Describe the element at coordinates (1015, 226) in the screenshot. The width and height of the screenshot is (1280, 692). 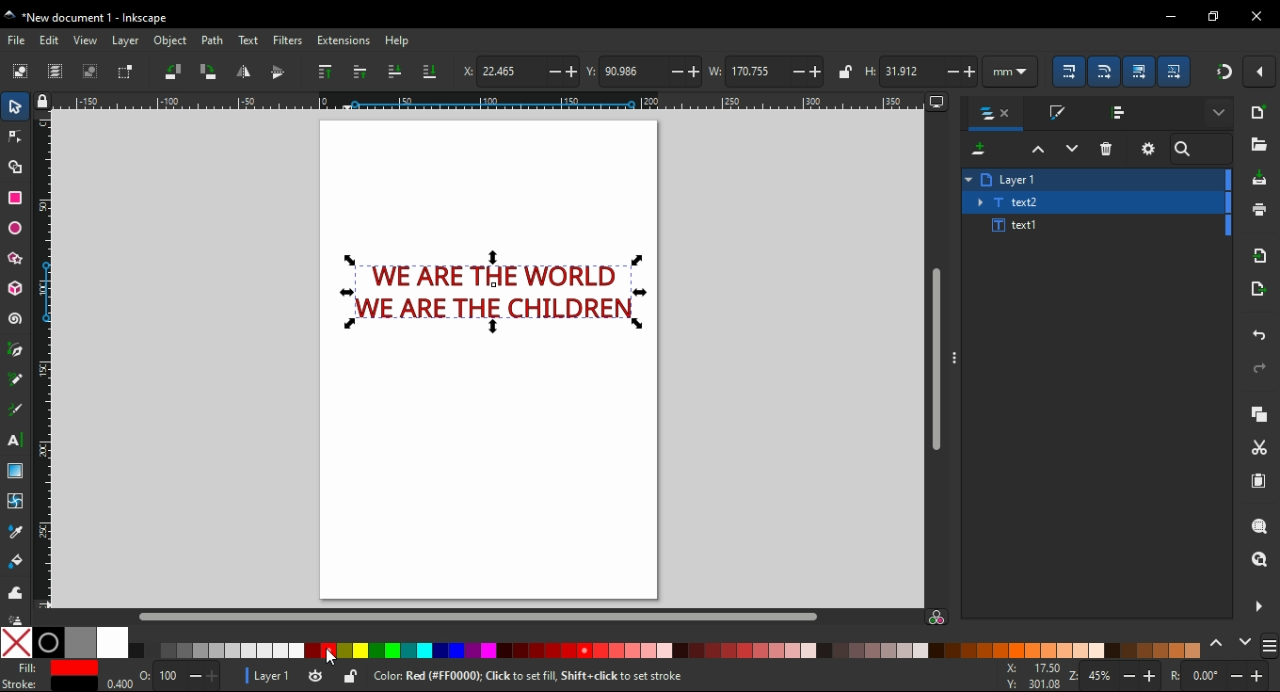
I see `text1` at that location.